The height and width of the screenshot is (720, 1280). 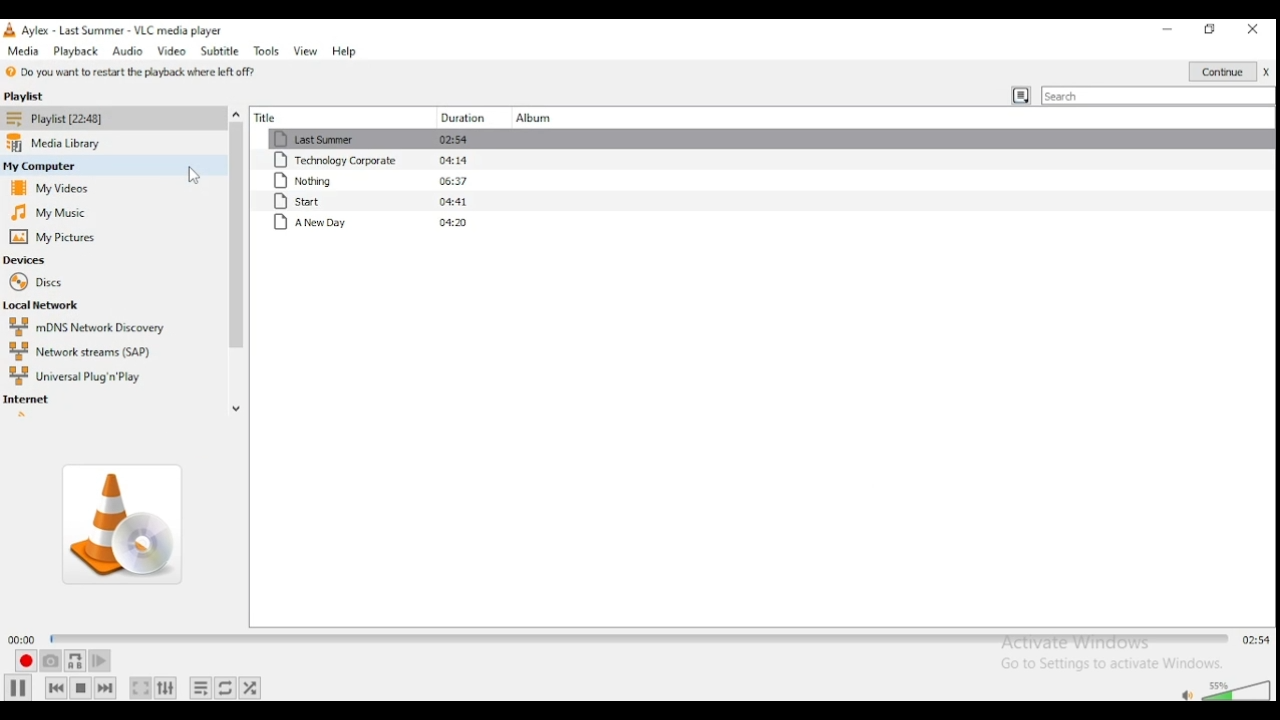 What do you see at coordinates (31, 399) in the screenshot?
I see `internet` at bounding box center [31, 399].